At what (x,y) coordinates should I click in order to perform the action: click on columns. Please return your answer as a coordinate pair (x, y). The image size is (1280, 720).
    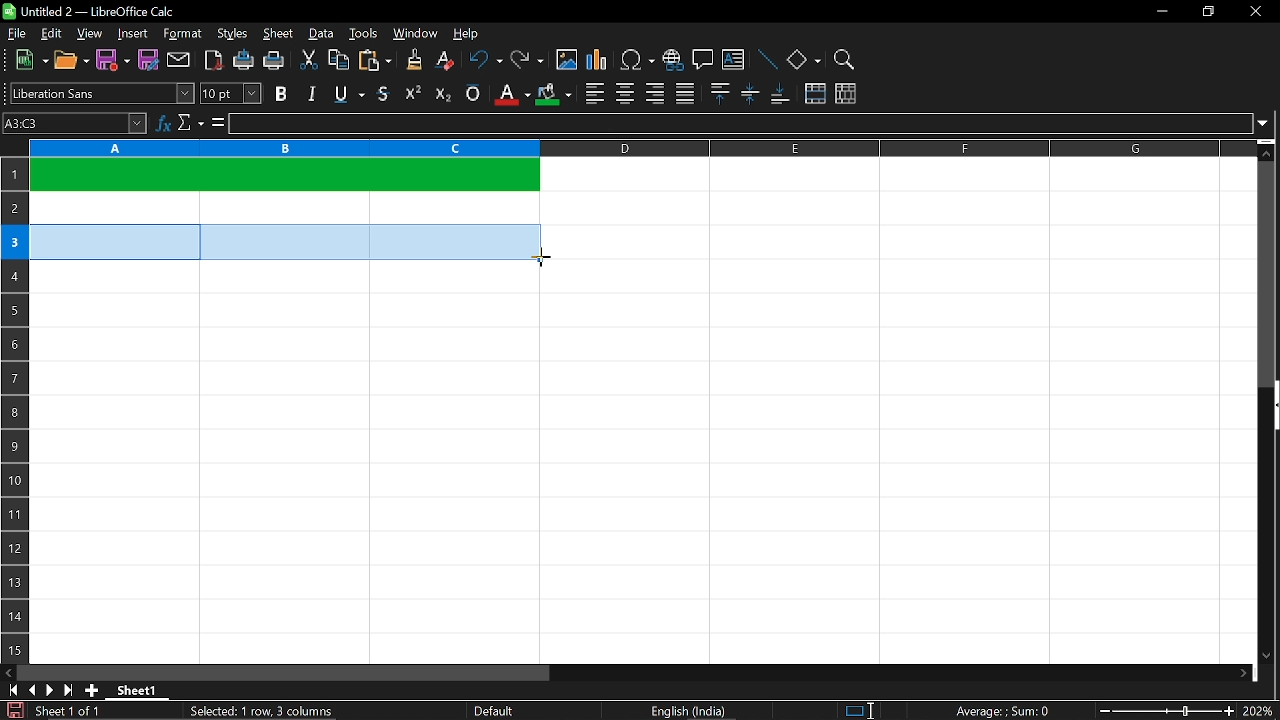
    Looking at the image, I should click on (640, 149).